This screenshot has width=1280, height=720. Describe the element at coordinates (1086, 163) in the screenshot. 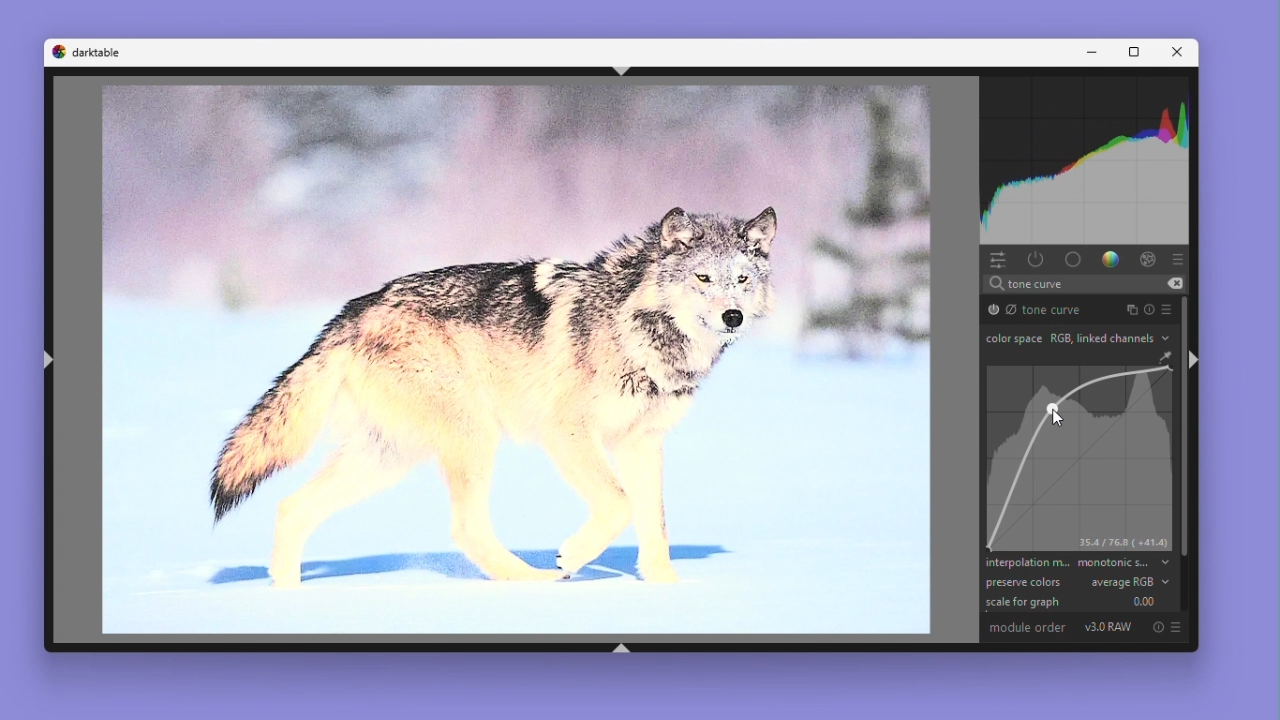

I see `Waveform` at that location.